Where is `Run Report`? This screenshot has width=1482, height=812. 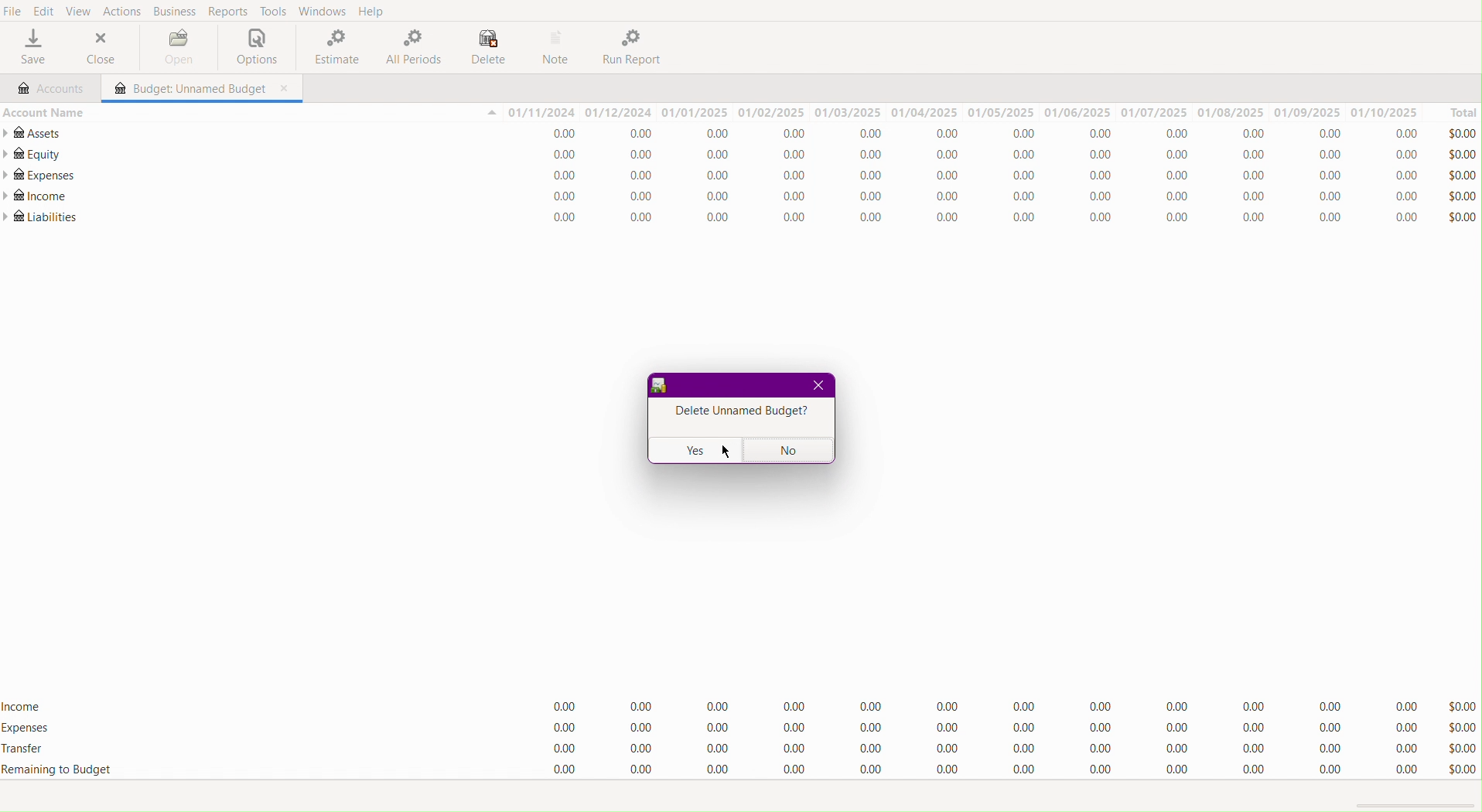 Run Report is located at coordinates (637, 47).